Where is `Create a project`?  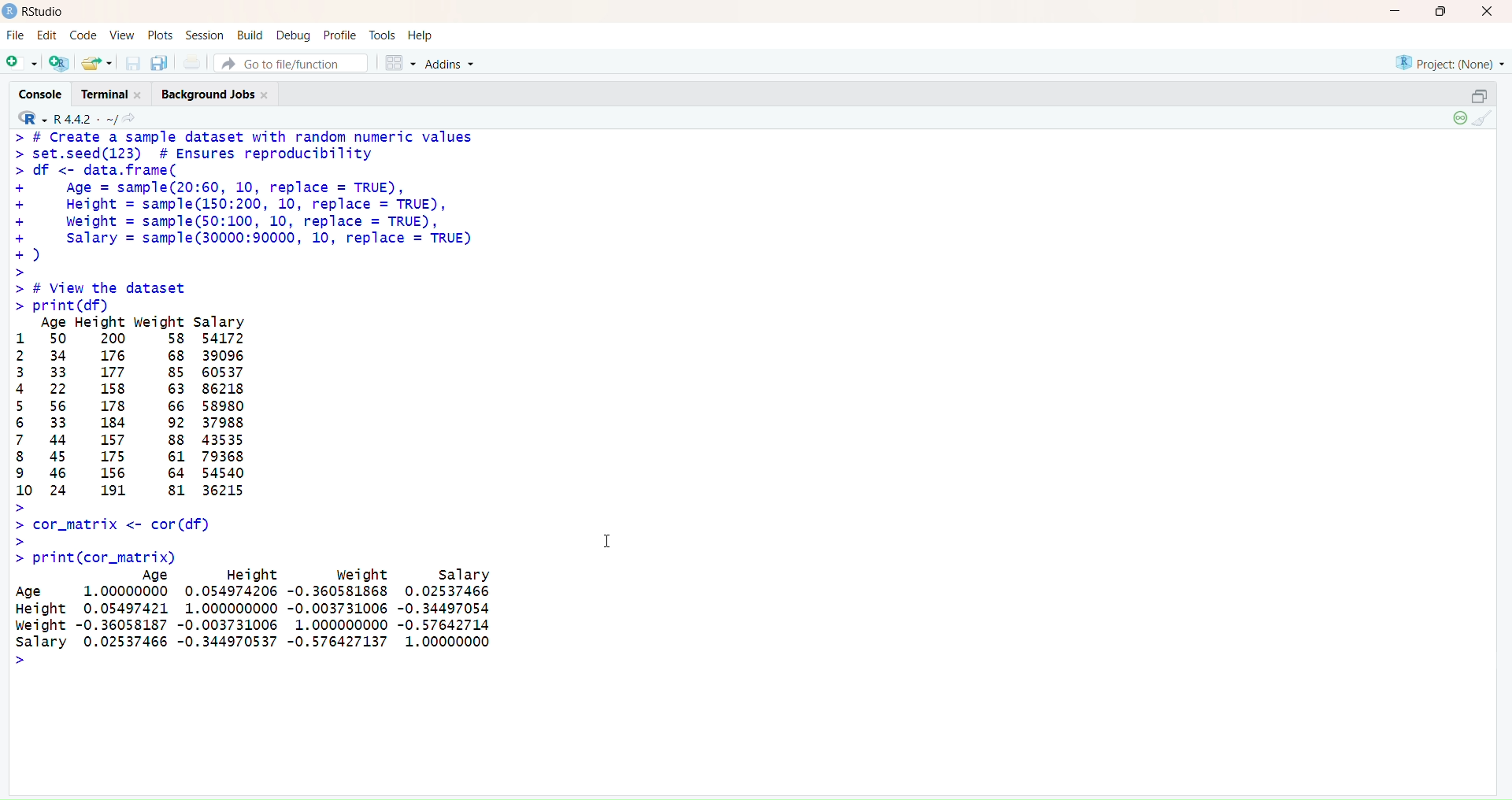
Create a project is located at coordinates (57, 61).